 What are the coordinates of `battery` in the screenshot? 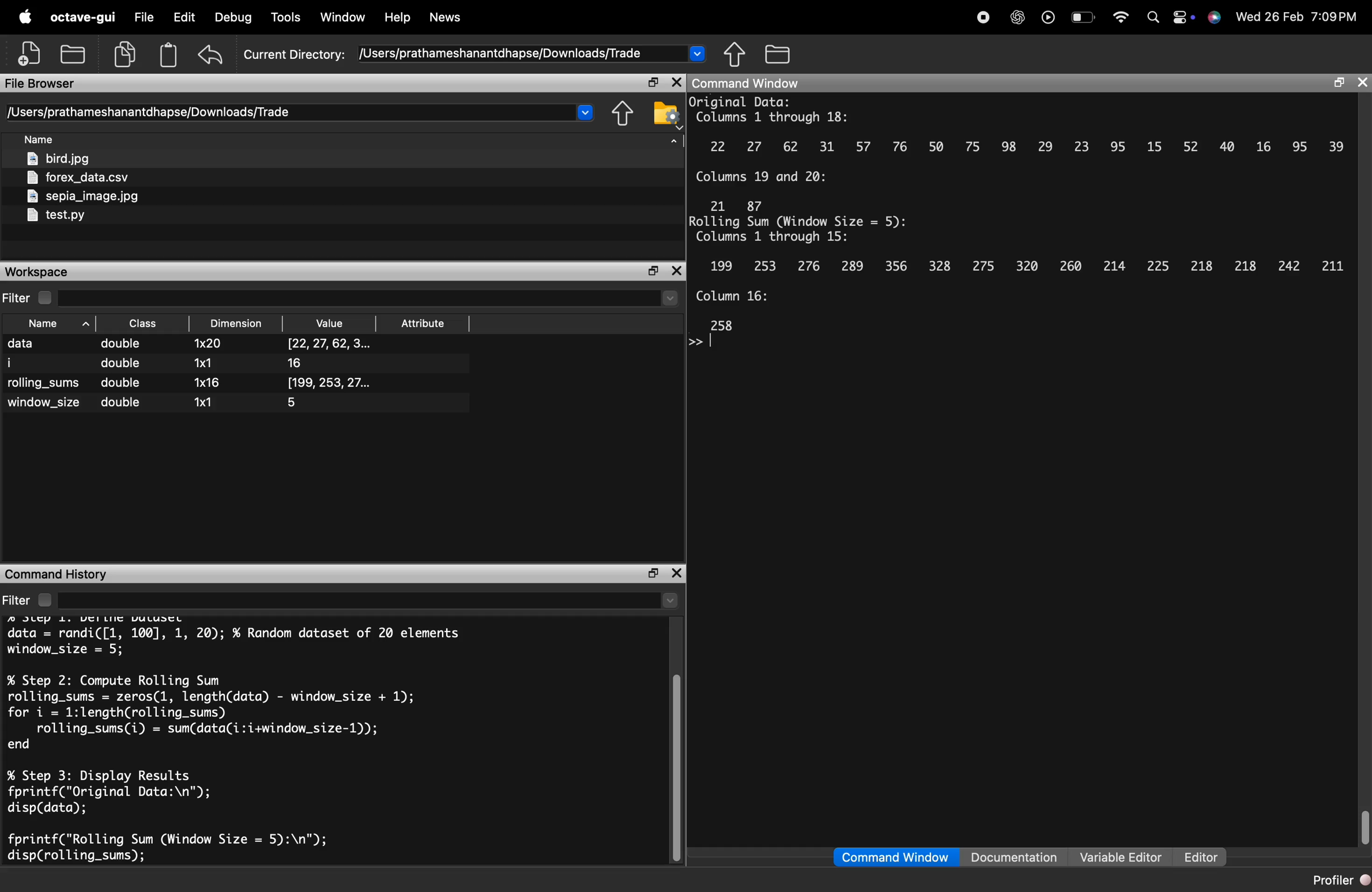 It's located at (1084, 18).